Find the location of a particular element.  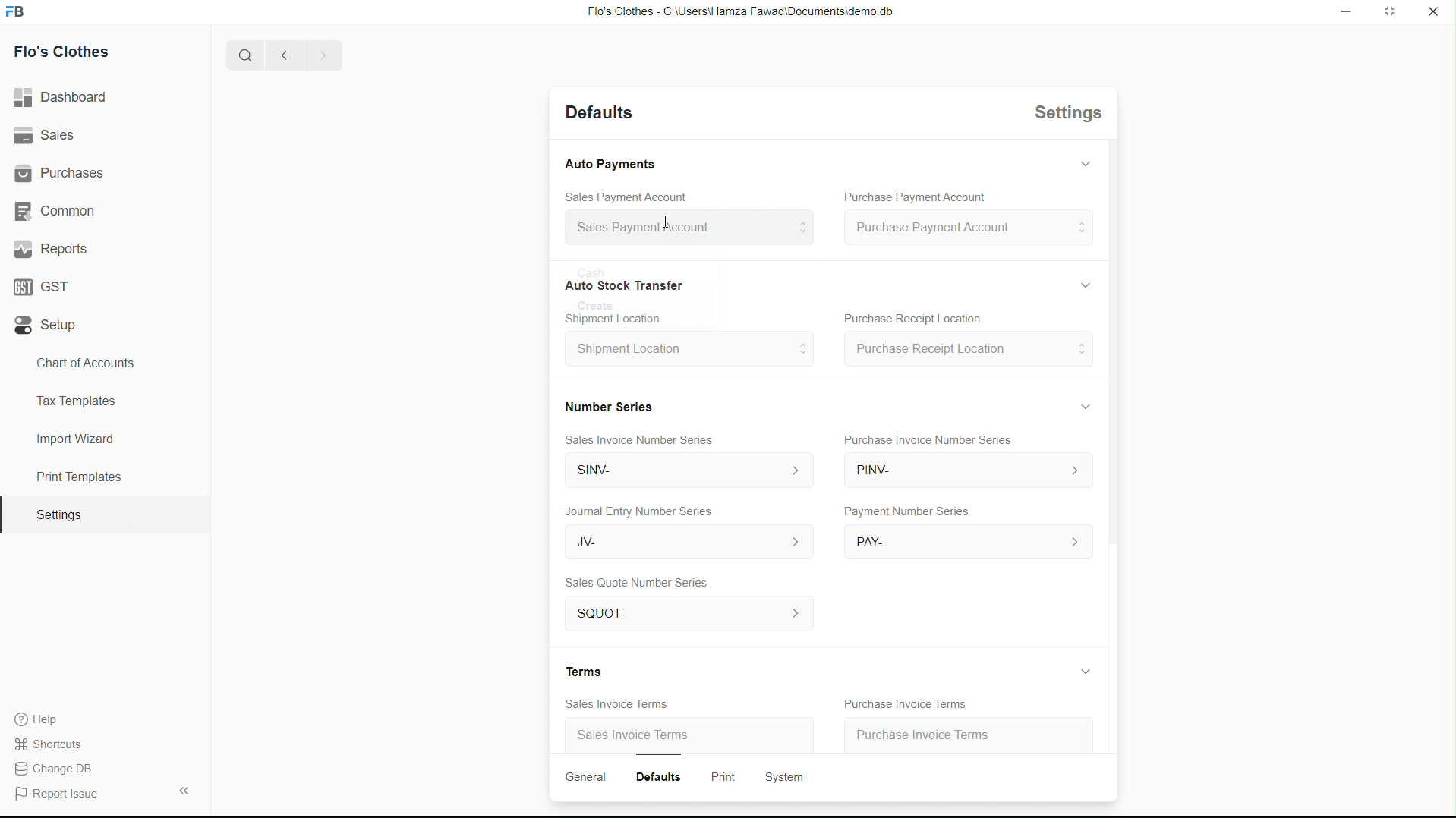

Auto Stock Transfer is located at coordinates (622, 287).